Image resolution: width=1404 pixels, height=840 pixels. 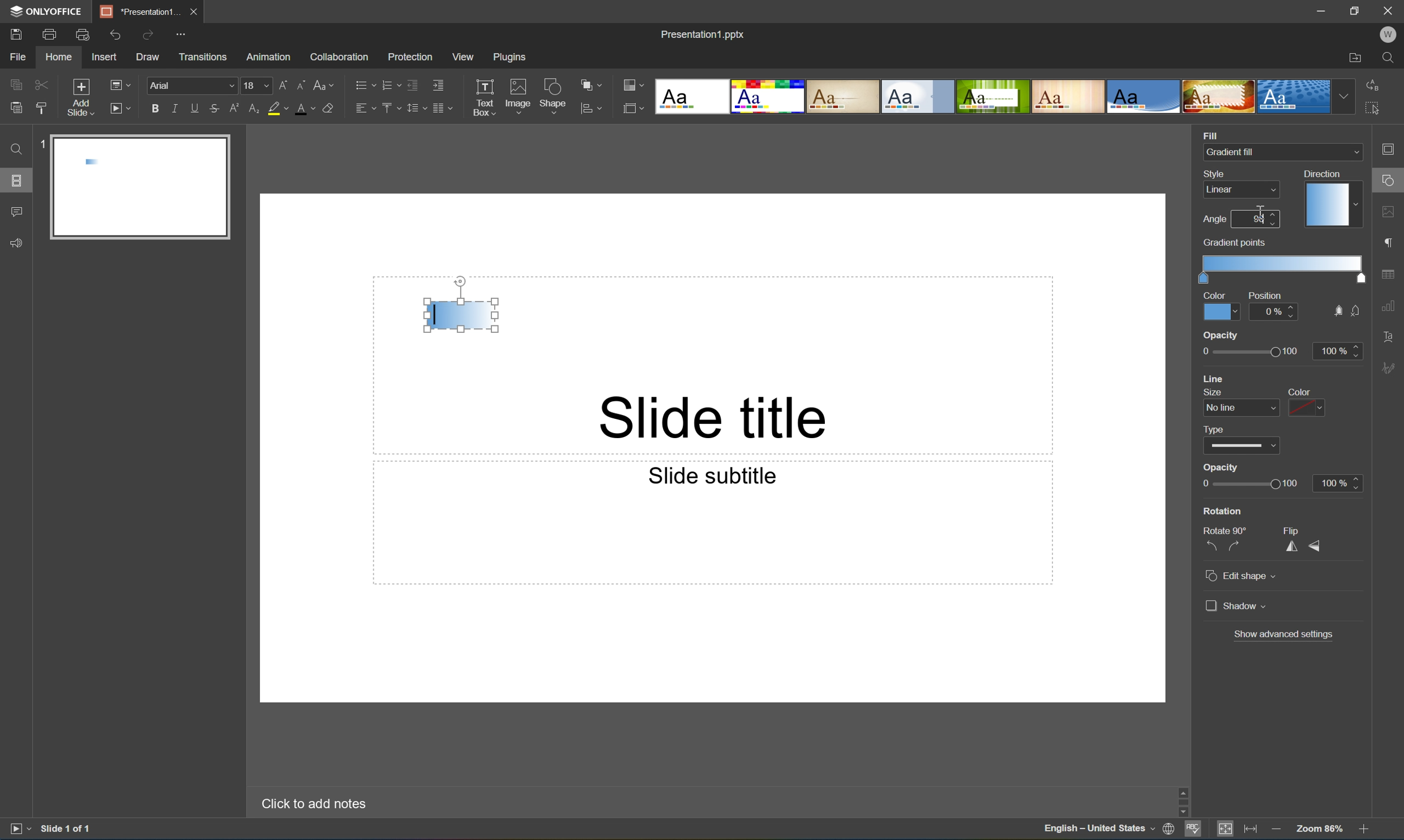 I want to click on Gradient fill, so click(x=462, y=315).